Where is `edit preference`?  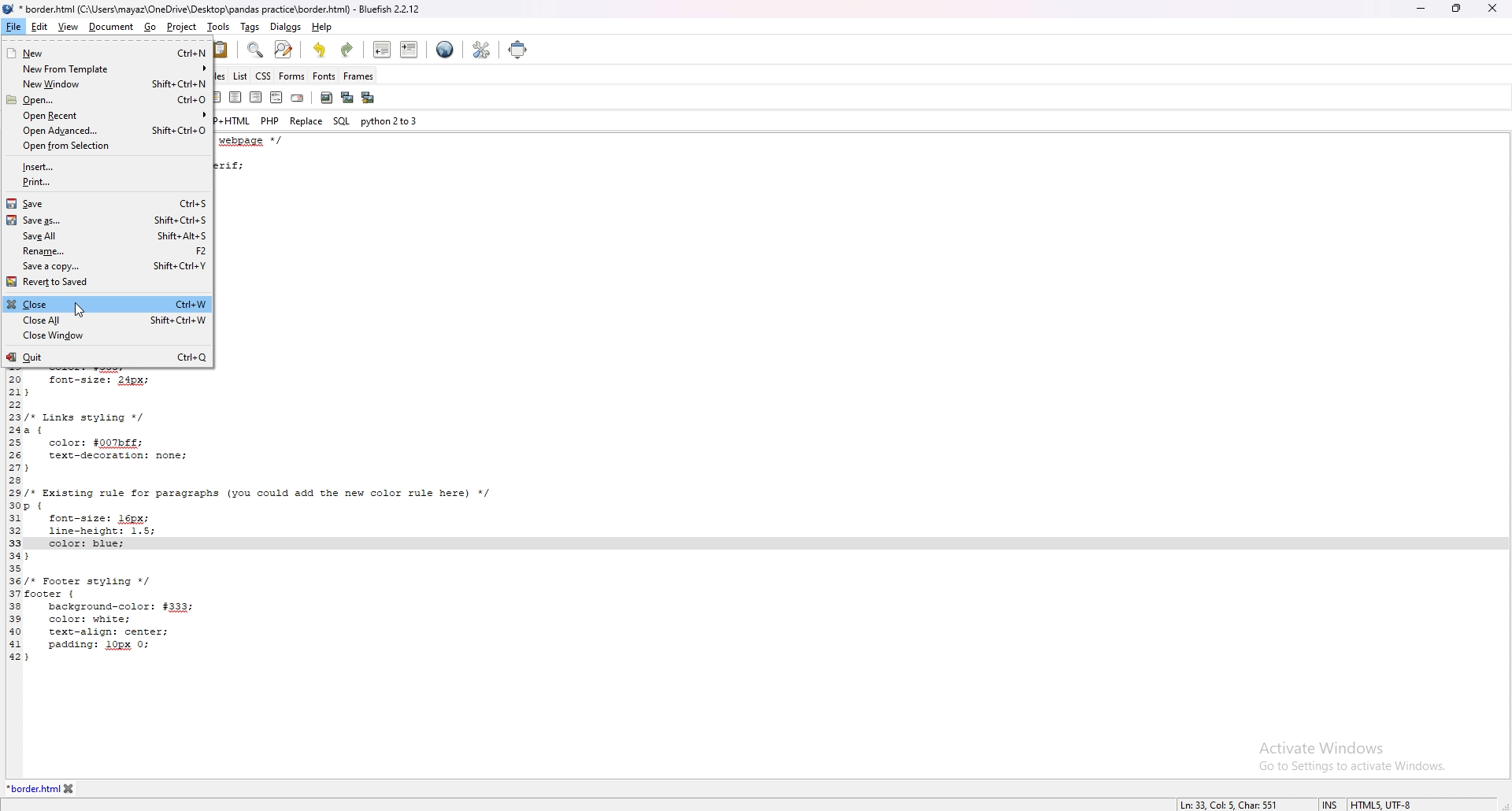
edit preference is located at coordinates (480, 50).